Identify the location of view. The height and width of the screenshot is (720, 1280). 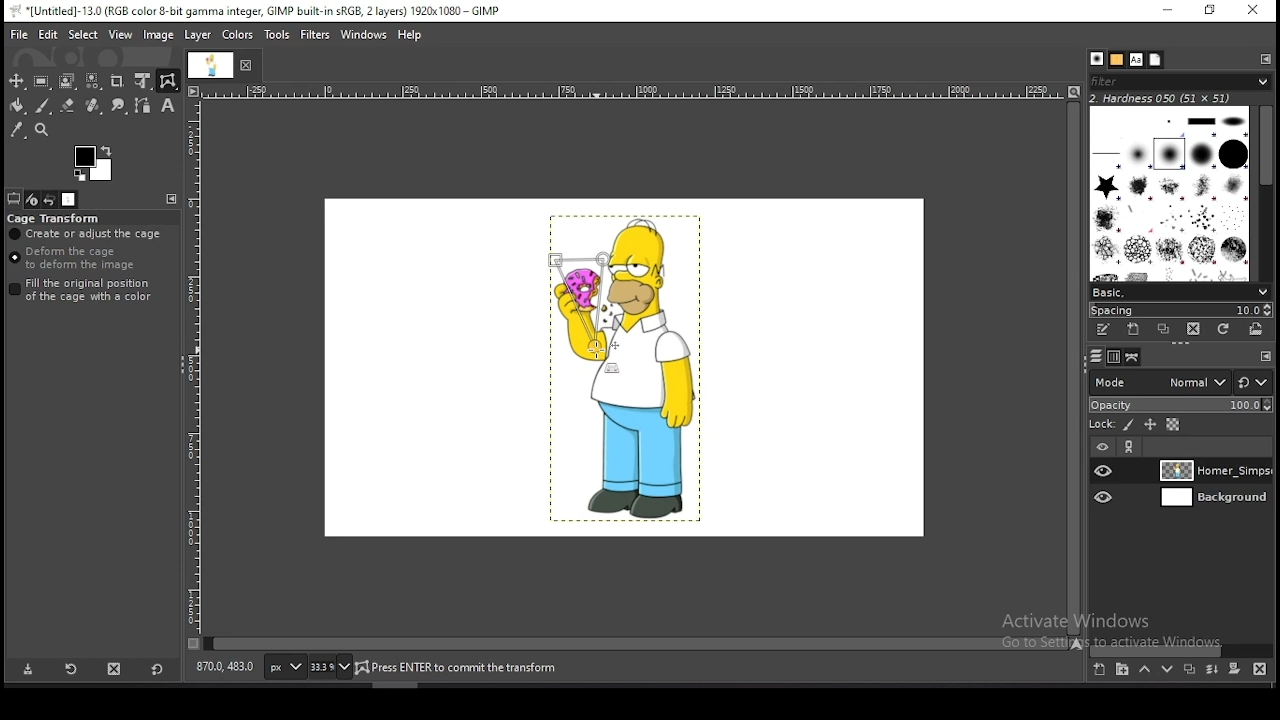
(121, 34).